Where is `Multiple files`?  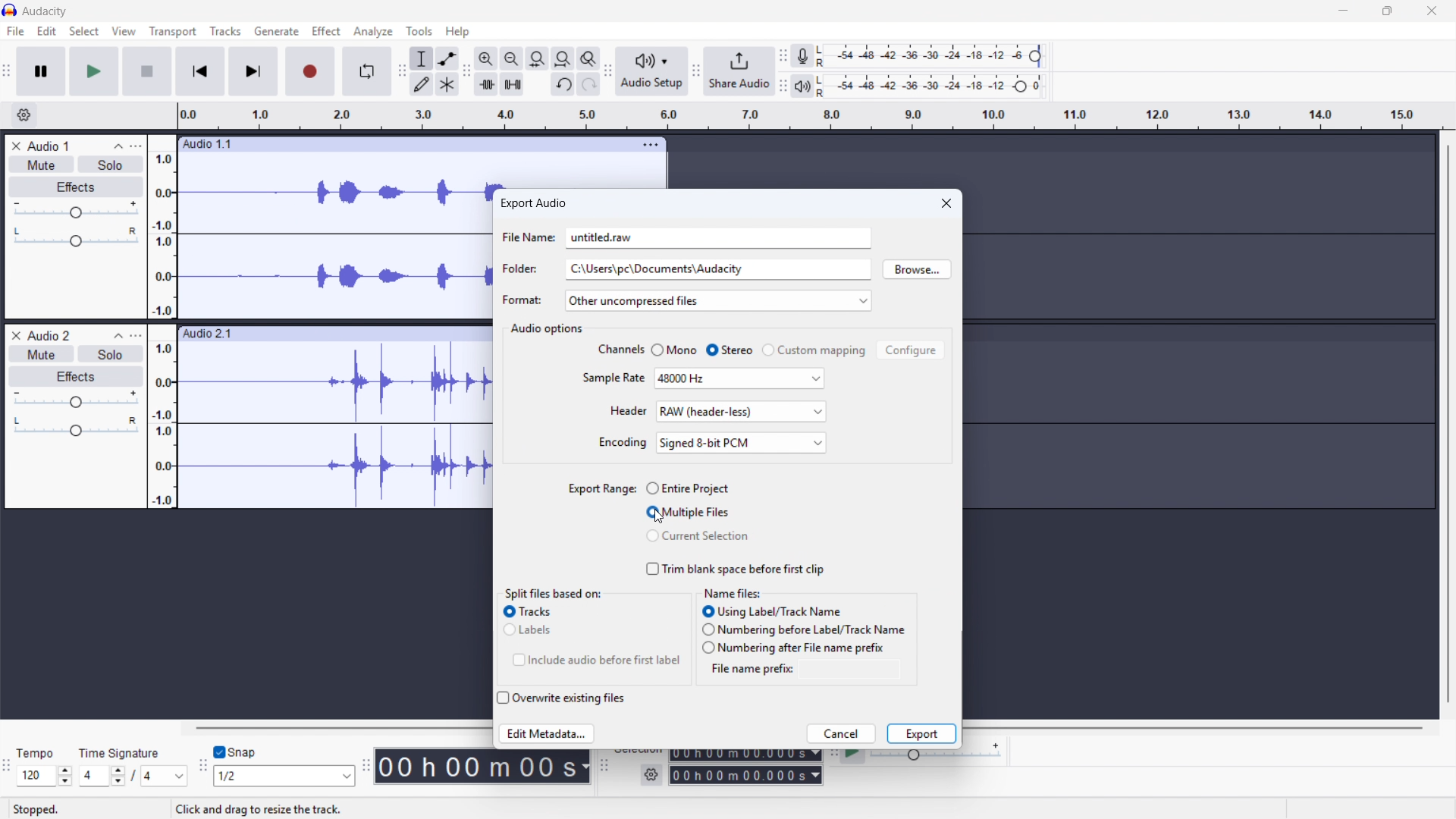 Multiple files is located at coordinates (687, 512).